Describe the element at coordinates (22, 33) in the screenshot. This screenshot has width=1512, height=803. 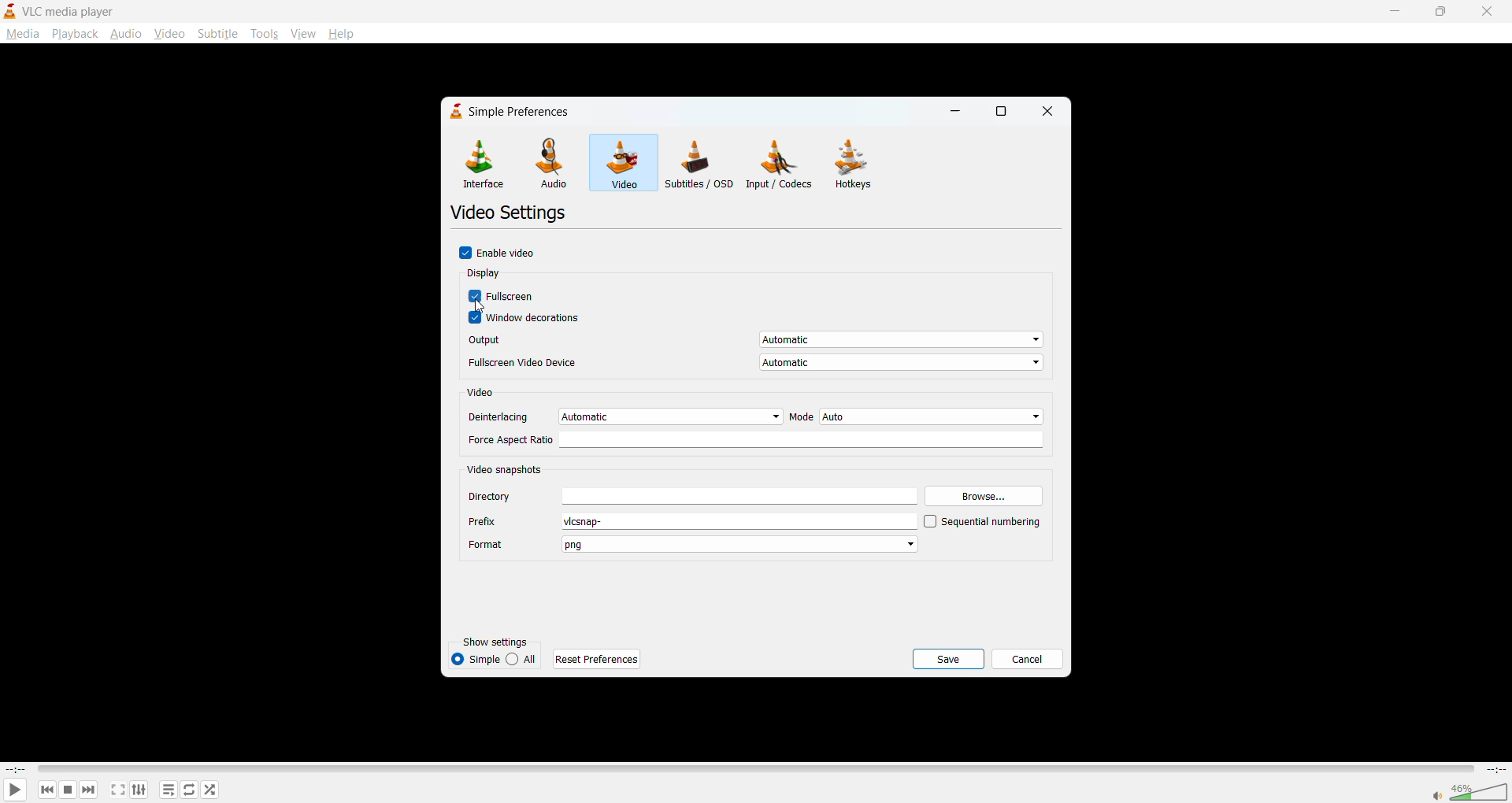
I see `media` at that location.